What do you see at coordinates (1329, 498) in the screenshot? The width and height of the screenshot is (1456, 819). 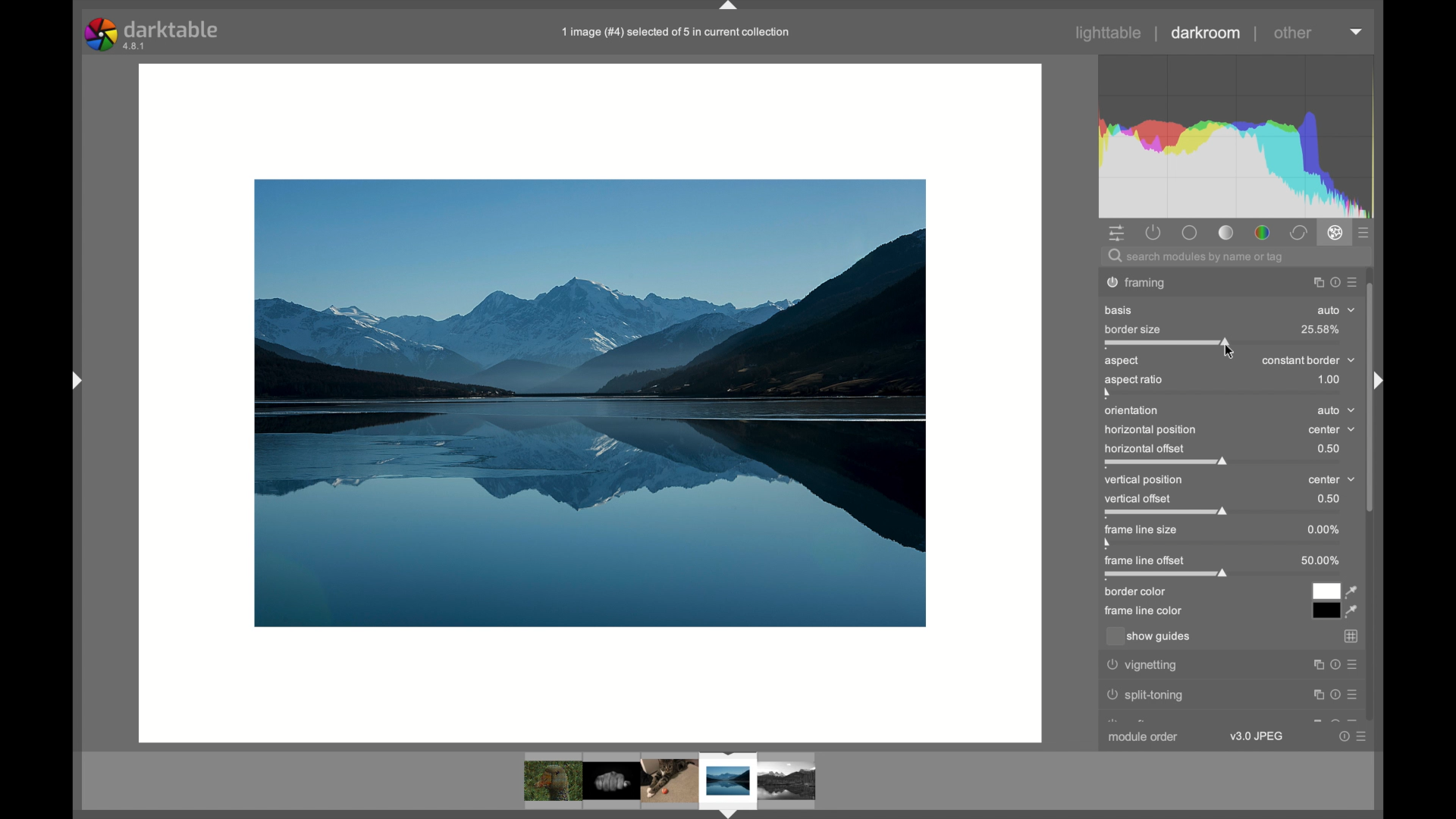 I see `0.5` at bounding box center [1329, 498].